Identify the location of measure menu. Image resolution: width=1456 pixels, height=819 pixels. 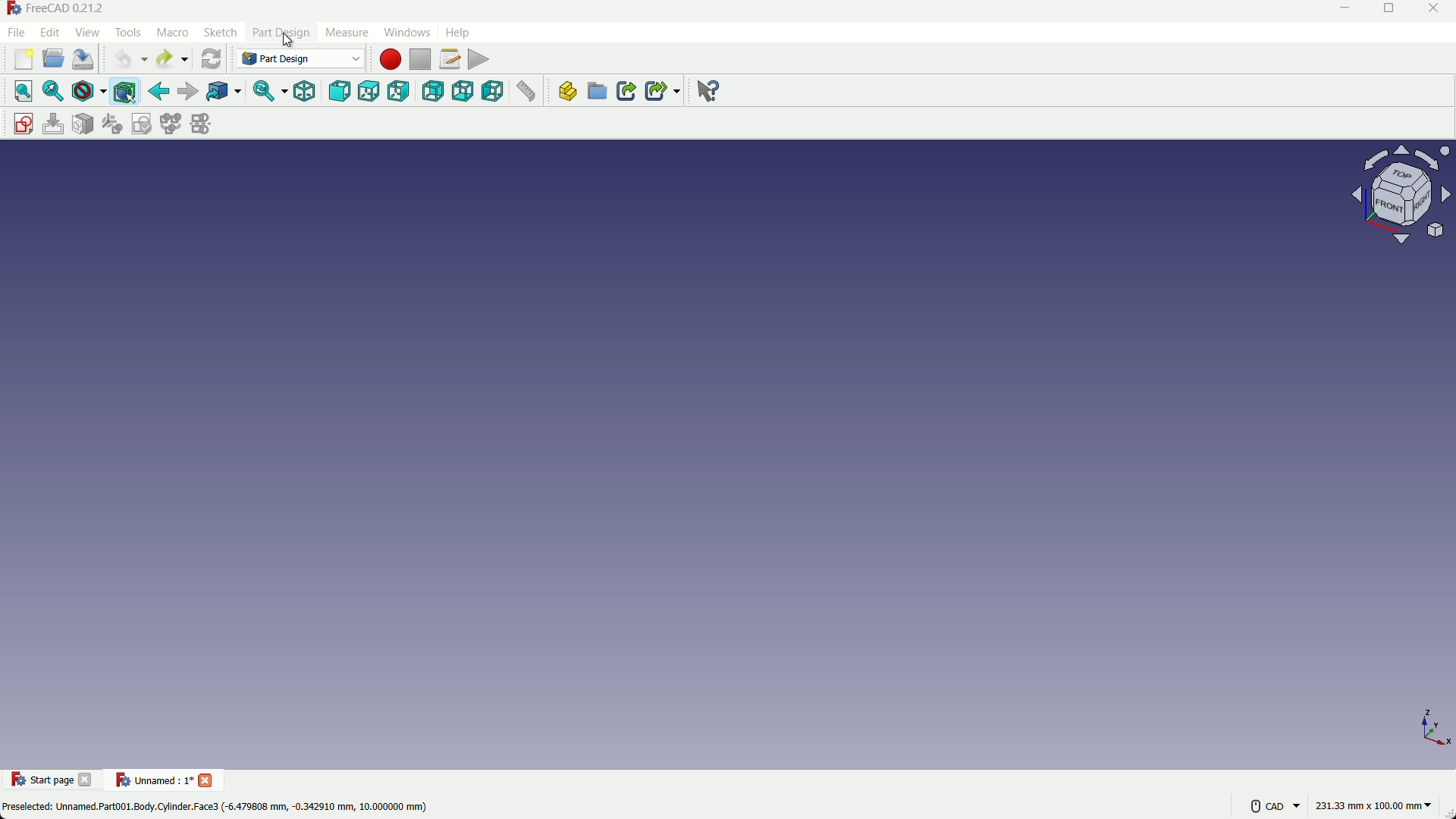
(347, 33).